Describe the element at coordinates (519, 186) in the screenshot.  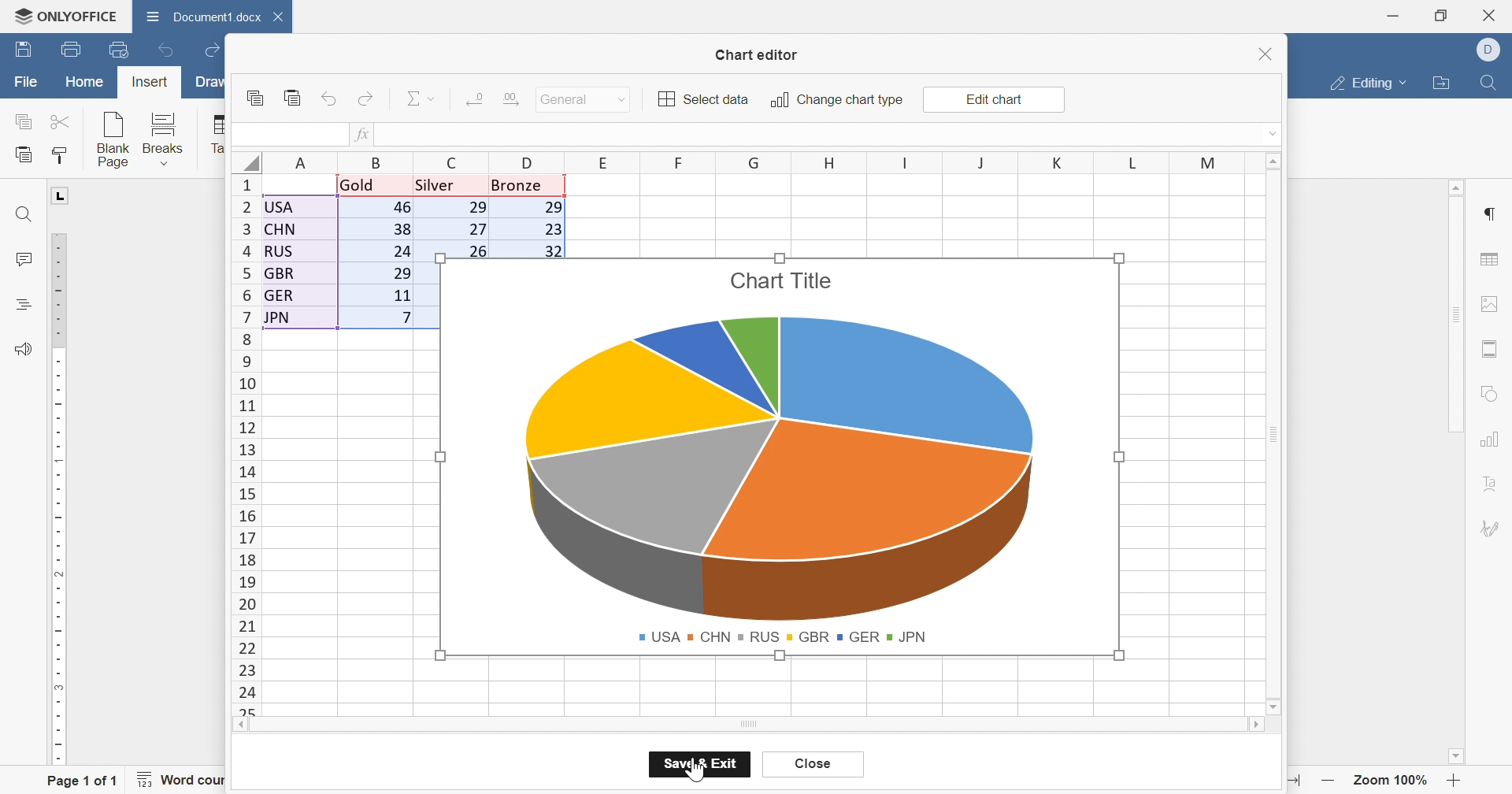
I see `Bronze` at that location.